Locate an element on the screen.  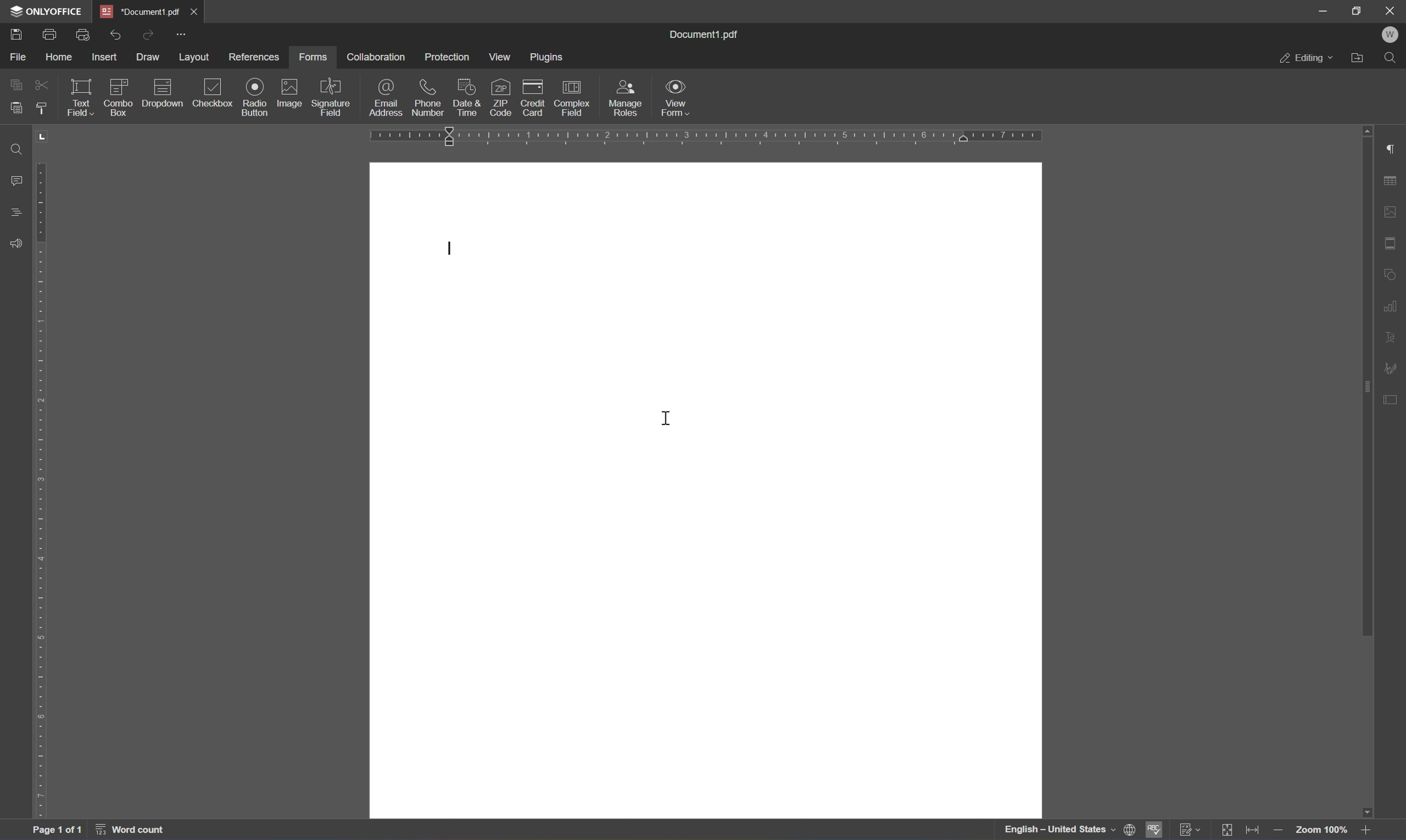
home is located at coordinates (60, 55).